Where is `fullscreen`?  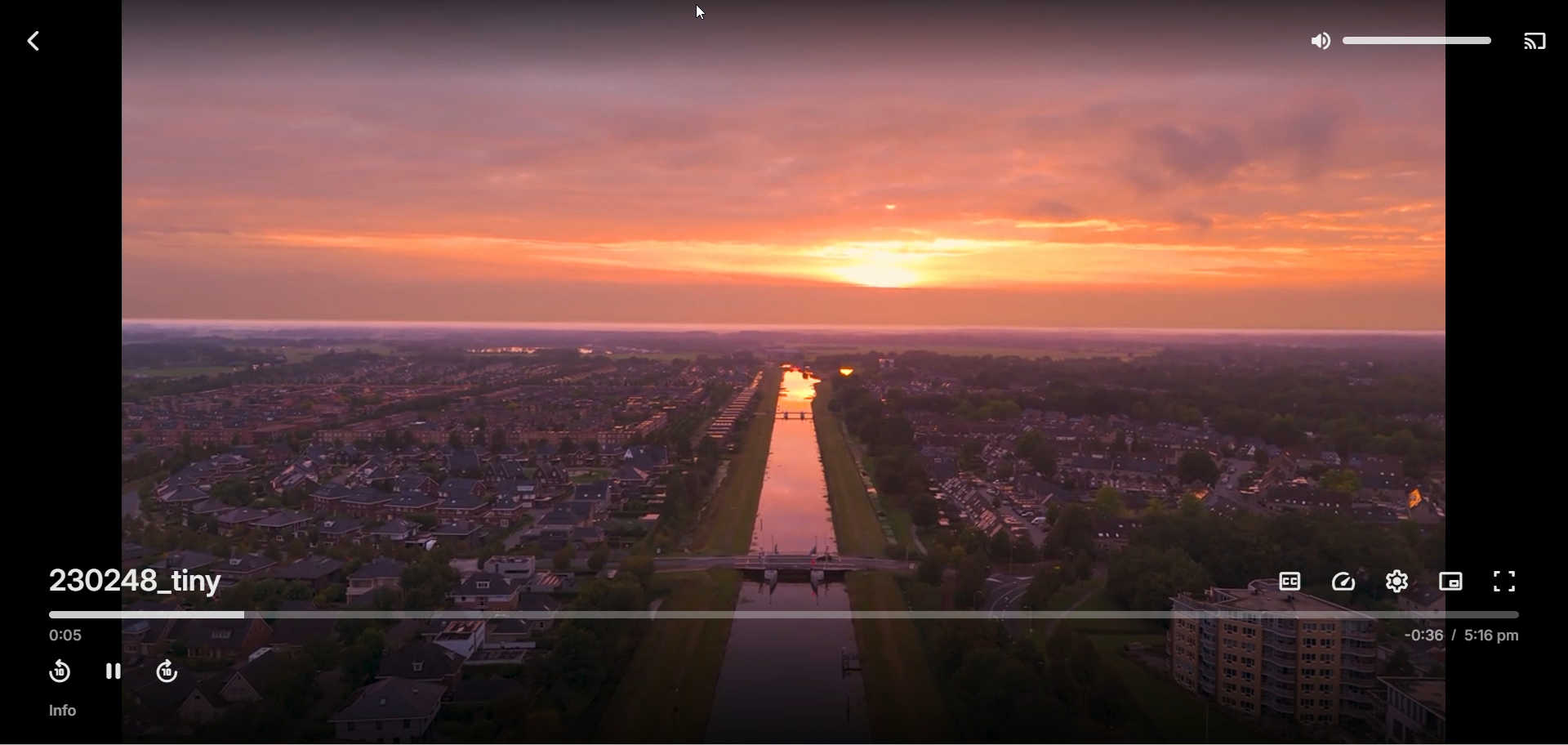 fullscreen is located at coordinates (1508, 580).